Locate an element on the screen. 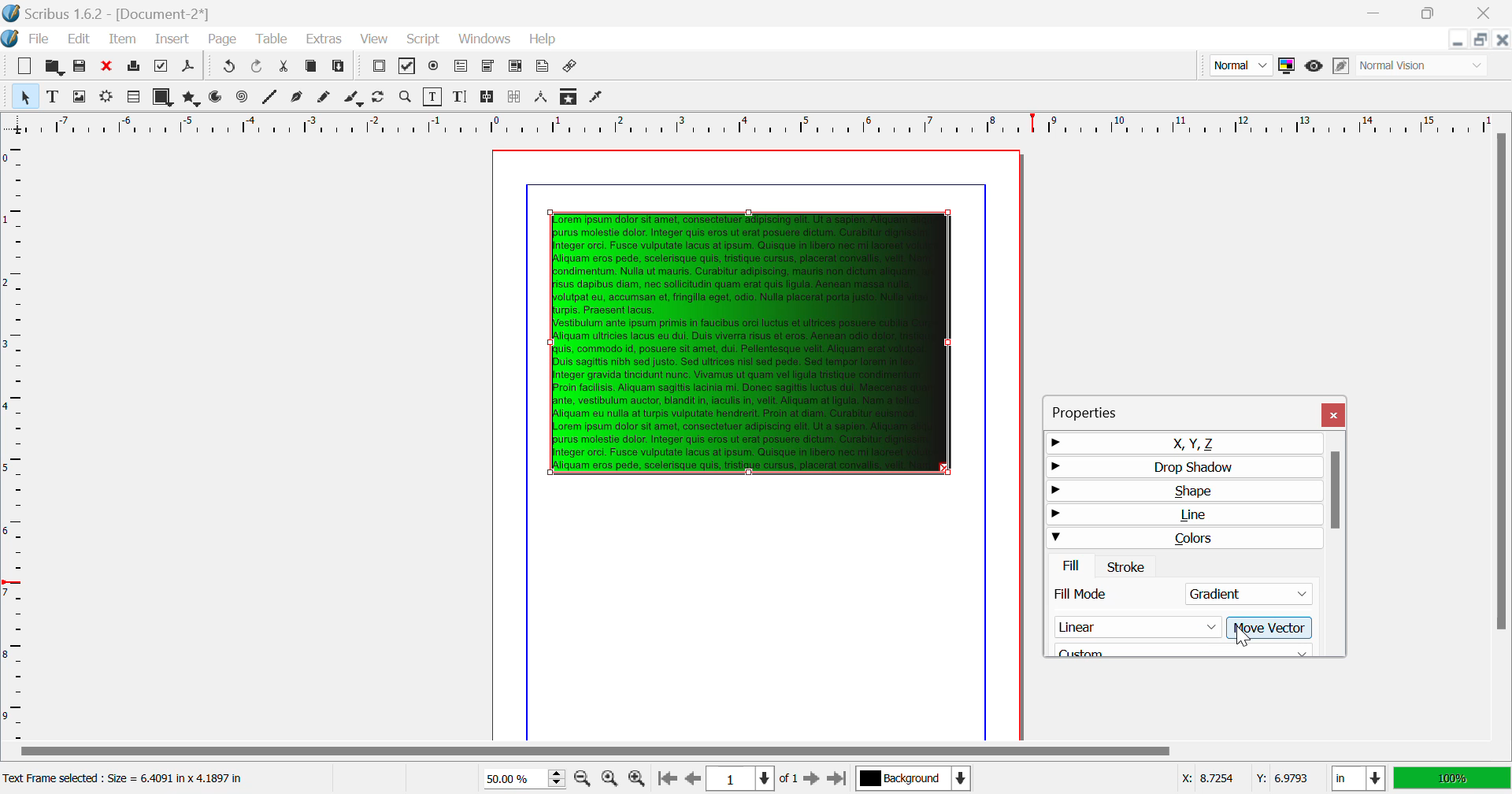  Calligraphic Line is located at coordinates (354, 99).